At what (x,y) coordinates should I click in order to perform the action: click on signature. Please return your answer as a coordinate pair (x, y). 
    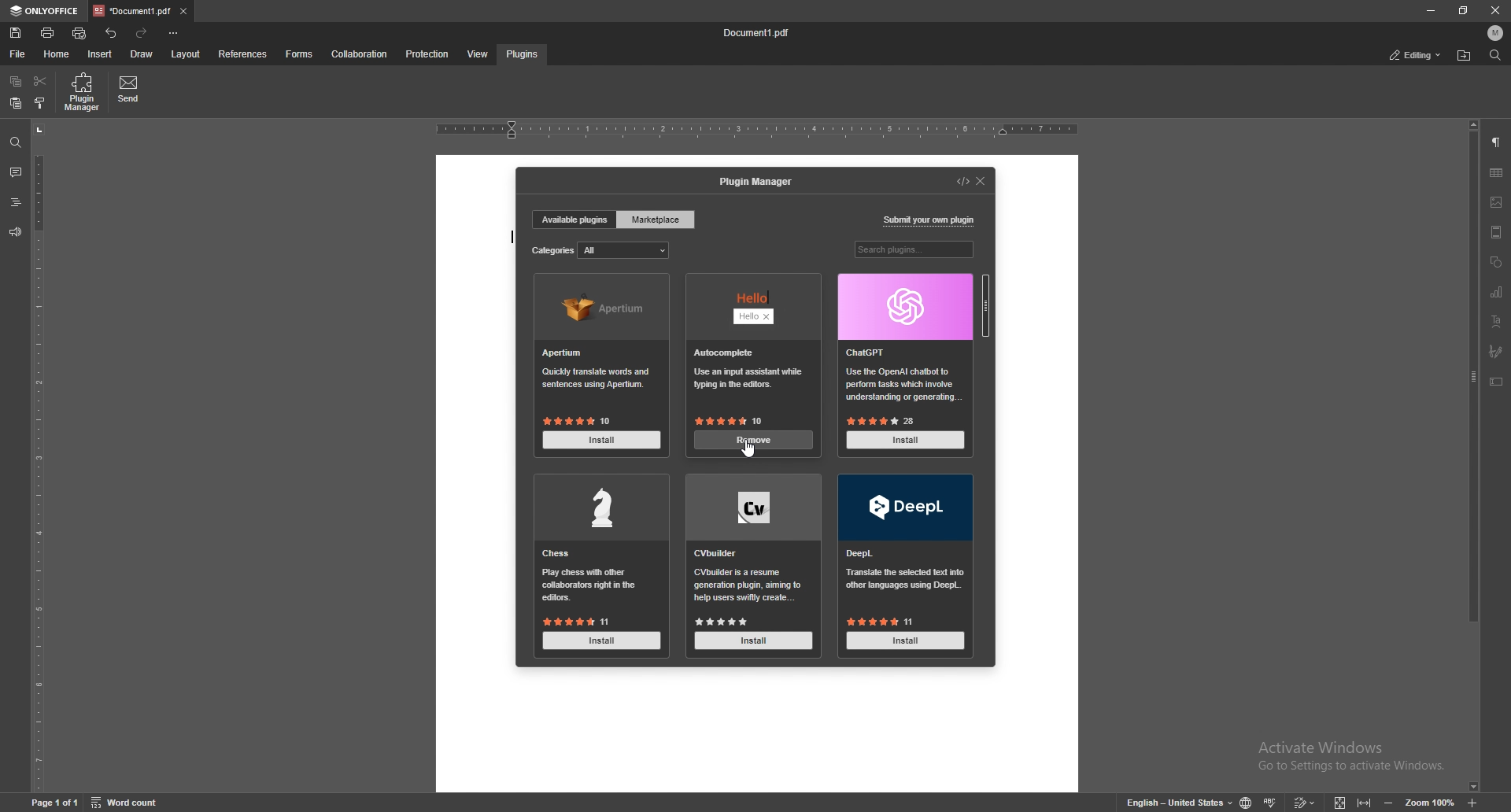
    Looking at the image, I should click on (1495, 352).